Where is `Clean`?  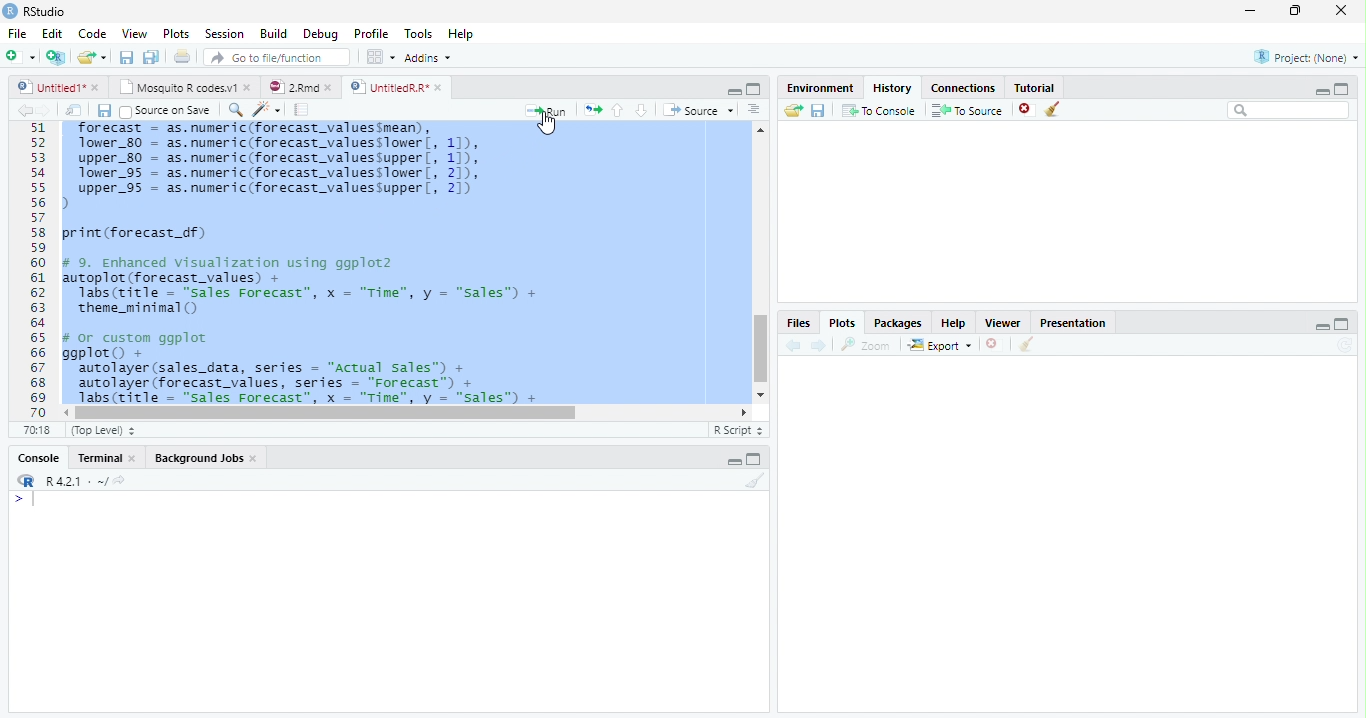 Clean is located at coordinates (1056, 109).